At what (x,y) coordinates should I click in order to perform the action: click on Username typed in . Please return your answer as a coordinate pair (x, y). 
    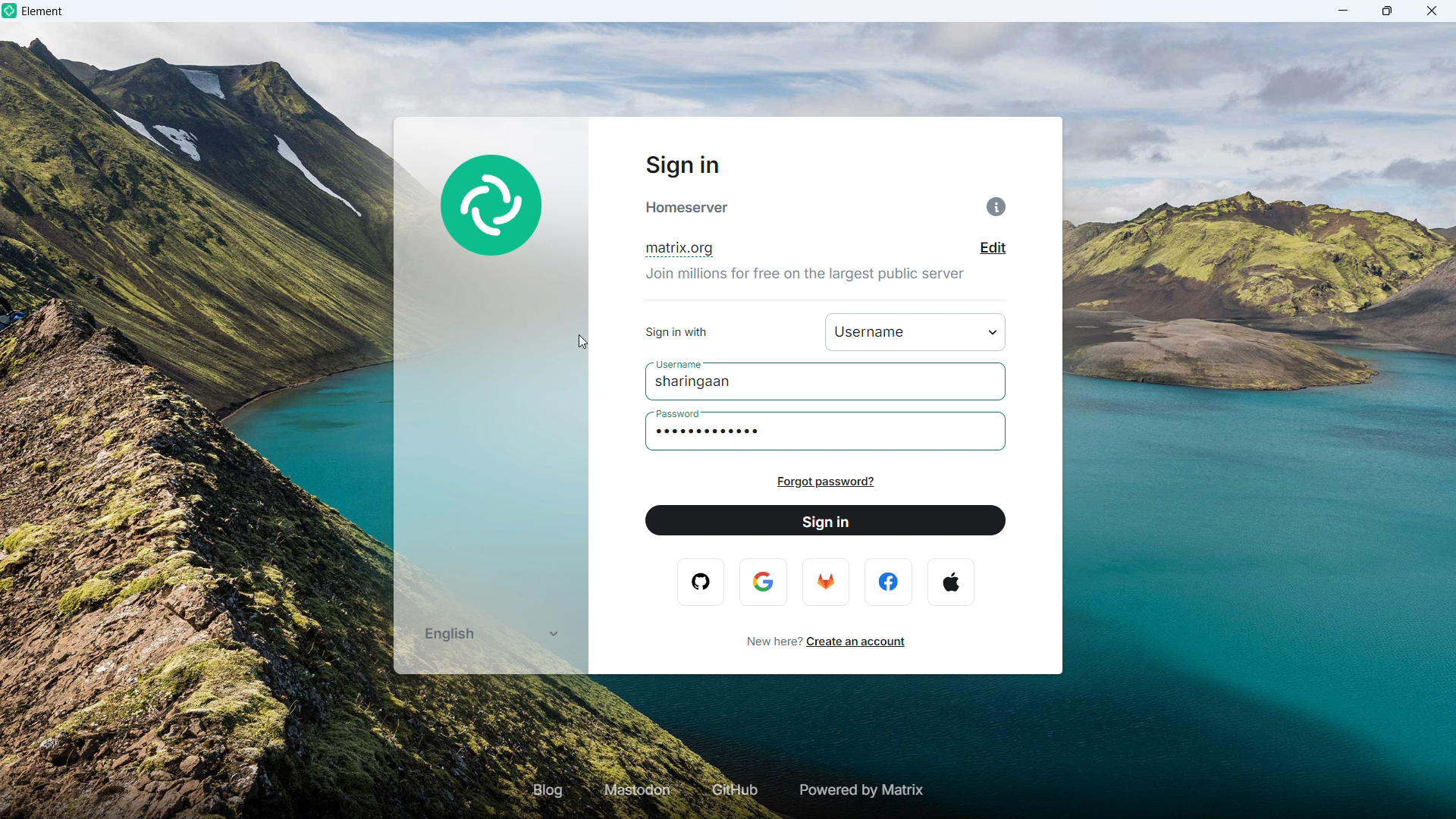
    Looking at the image, I should click on (698, 383).